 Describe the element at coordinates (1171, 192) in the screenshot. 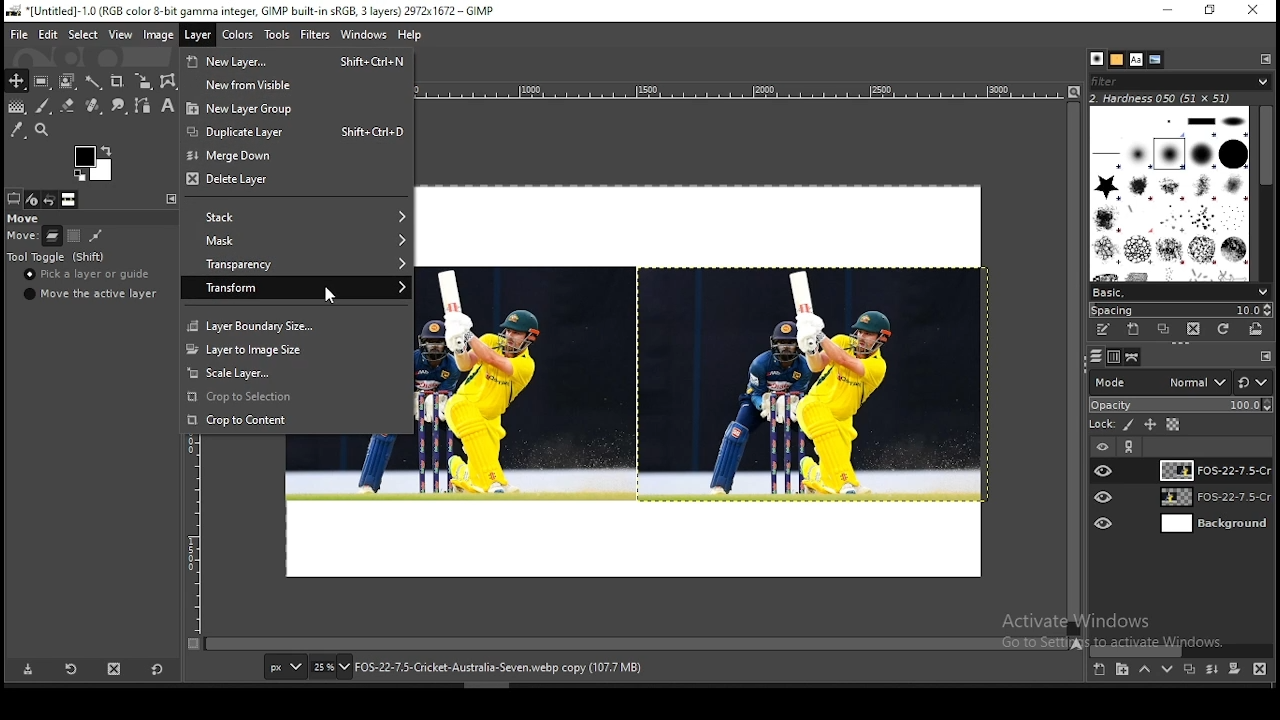

I see `Designs` at that location.